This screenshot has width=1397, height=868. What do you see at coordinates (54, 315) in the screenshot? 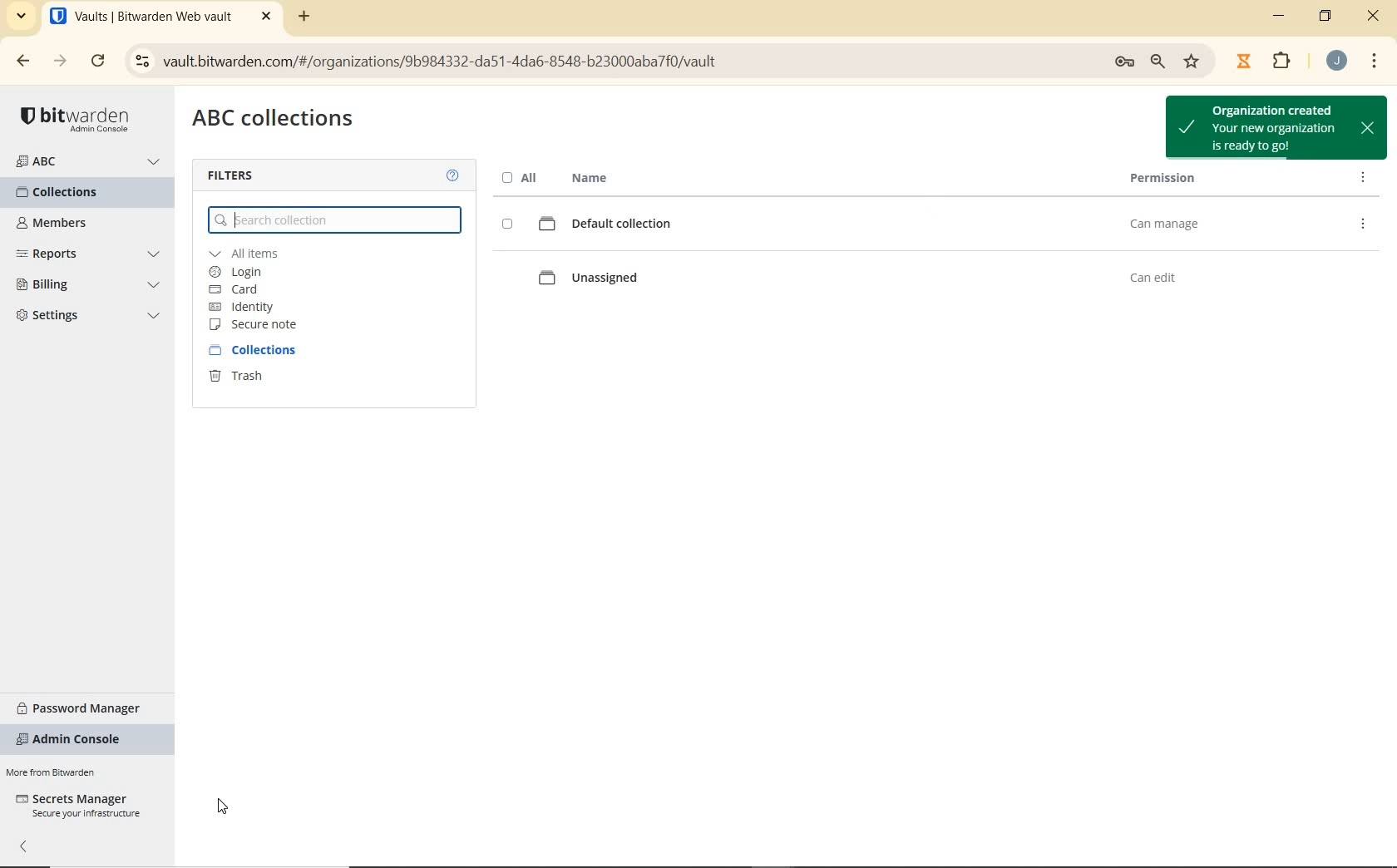
I see `3 Settings.` at bounding box center [54, 315].